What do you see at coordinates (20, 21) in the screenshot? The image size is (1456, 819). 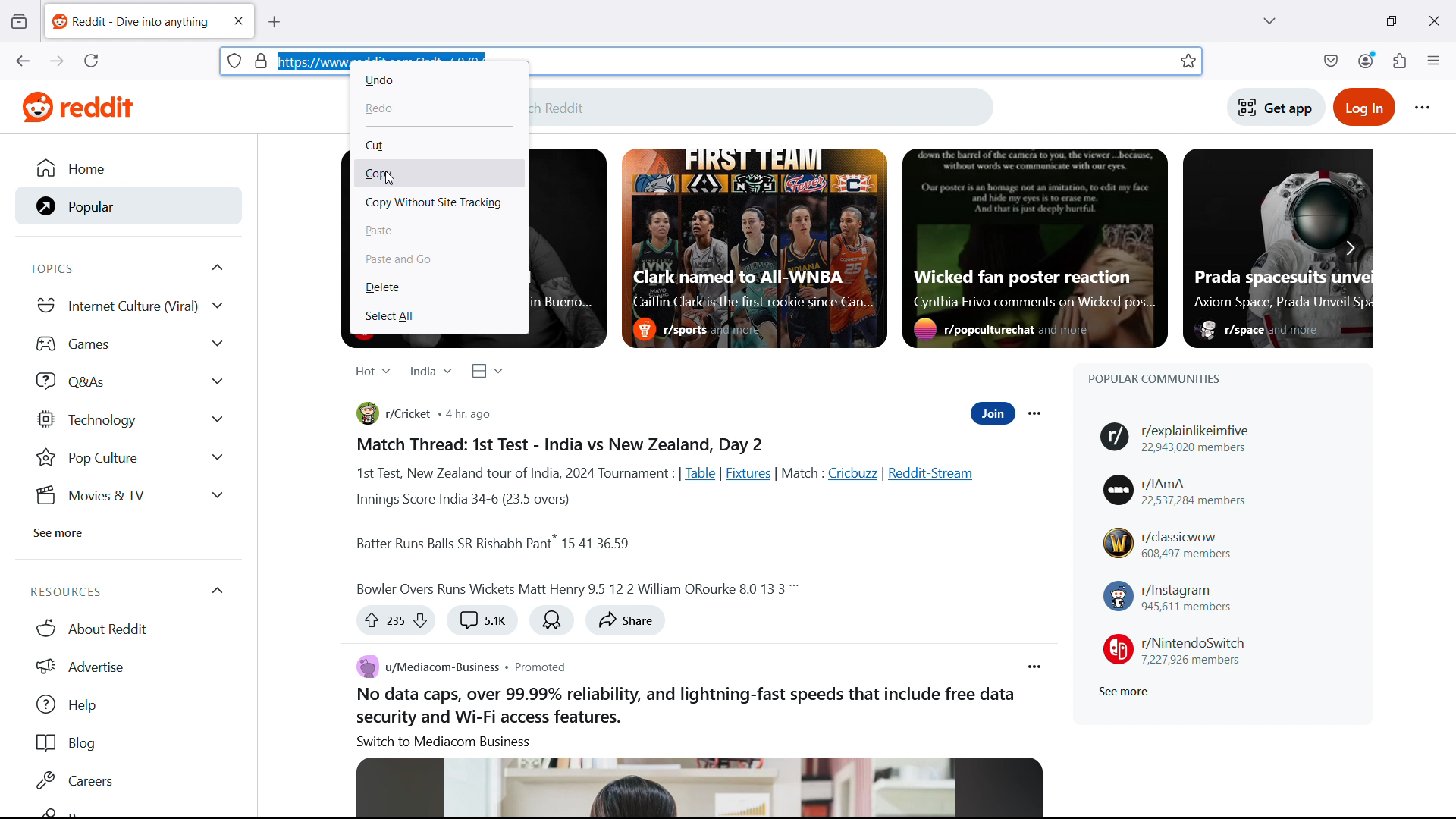 I see `view recent browsing` at bounding box center [20, 21].